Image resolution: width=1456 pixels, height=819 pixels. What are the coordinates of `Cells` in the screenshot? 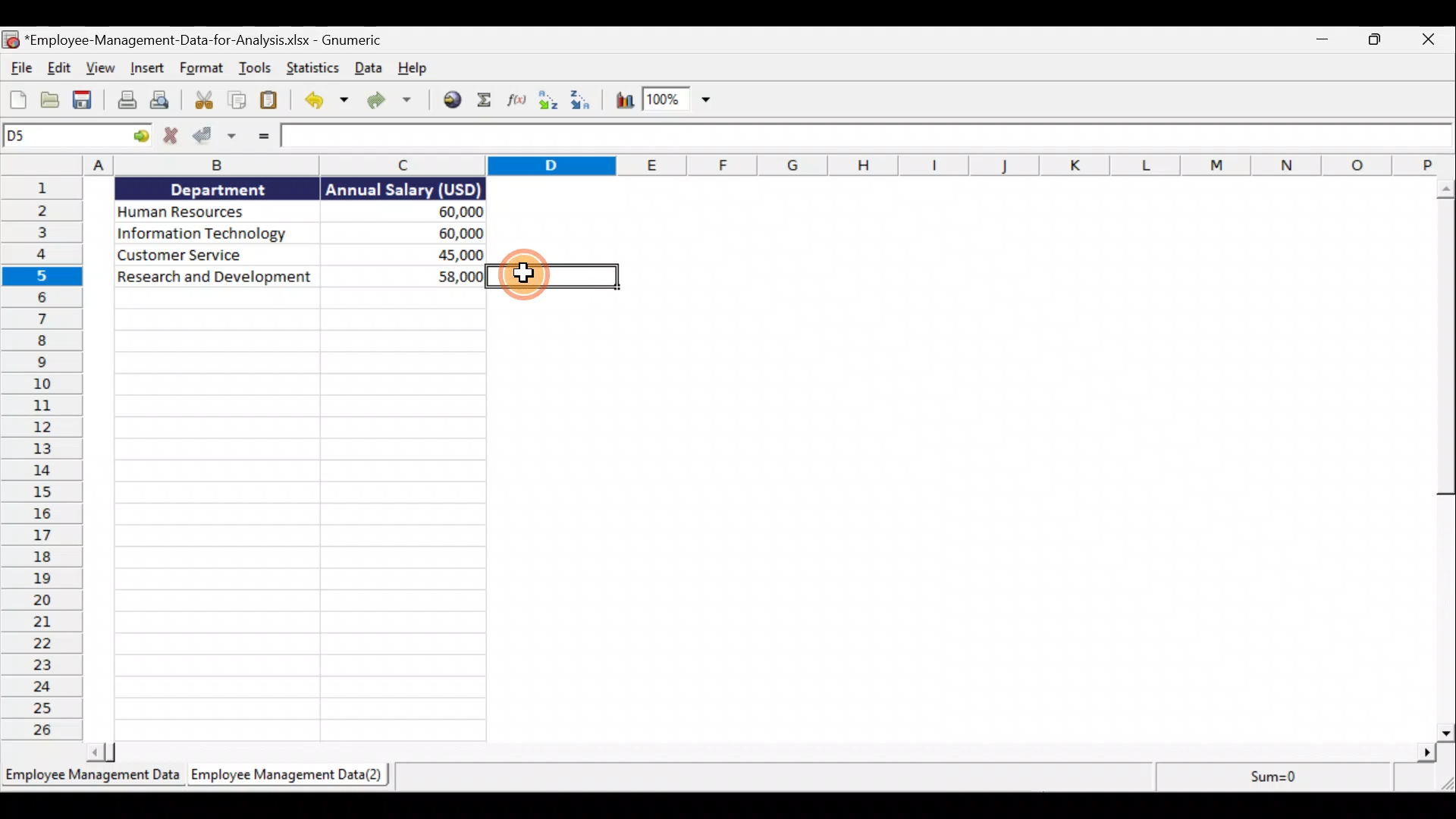 It's located at (297, 516).